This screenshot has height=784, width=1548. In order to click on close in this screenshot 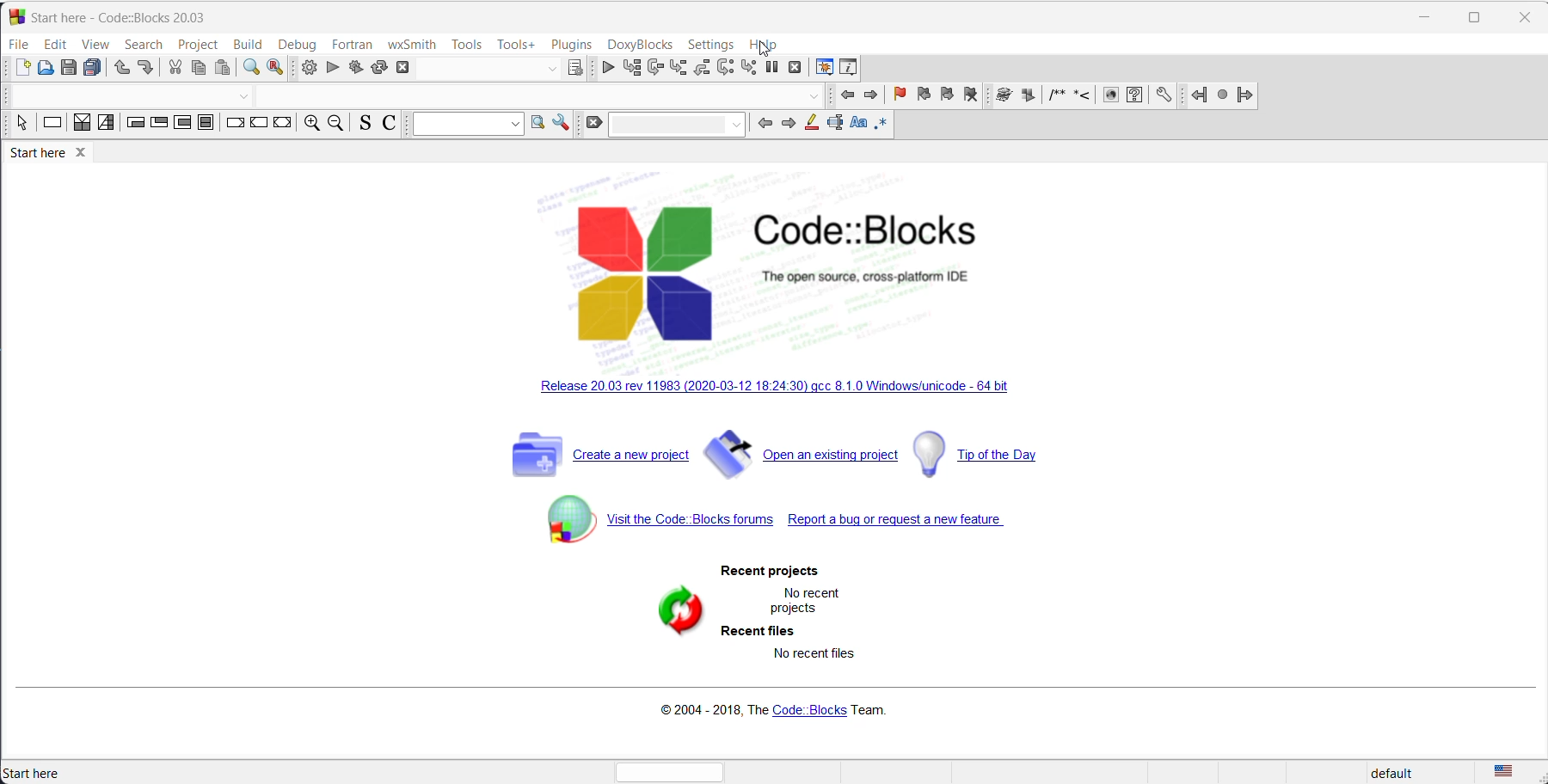, I will do `click(1521, 18)`.